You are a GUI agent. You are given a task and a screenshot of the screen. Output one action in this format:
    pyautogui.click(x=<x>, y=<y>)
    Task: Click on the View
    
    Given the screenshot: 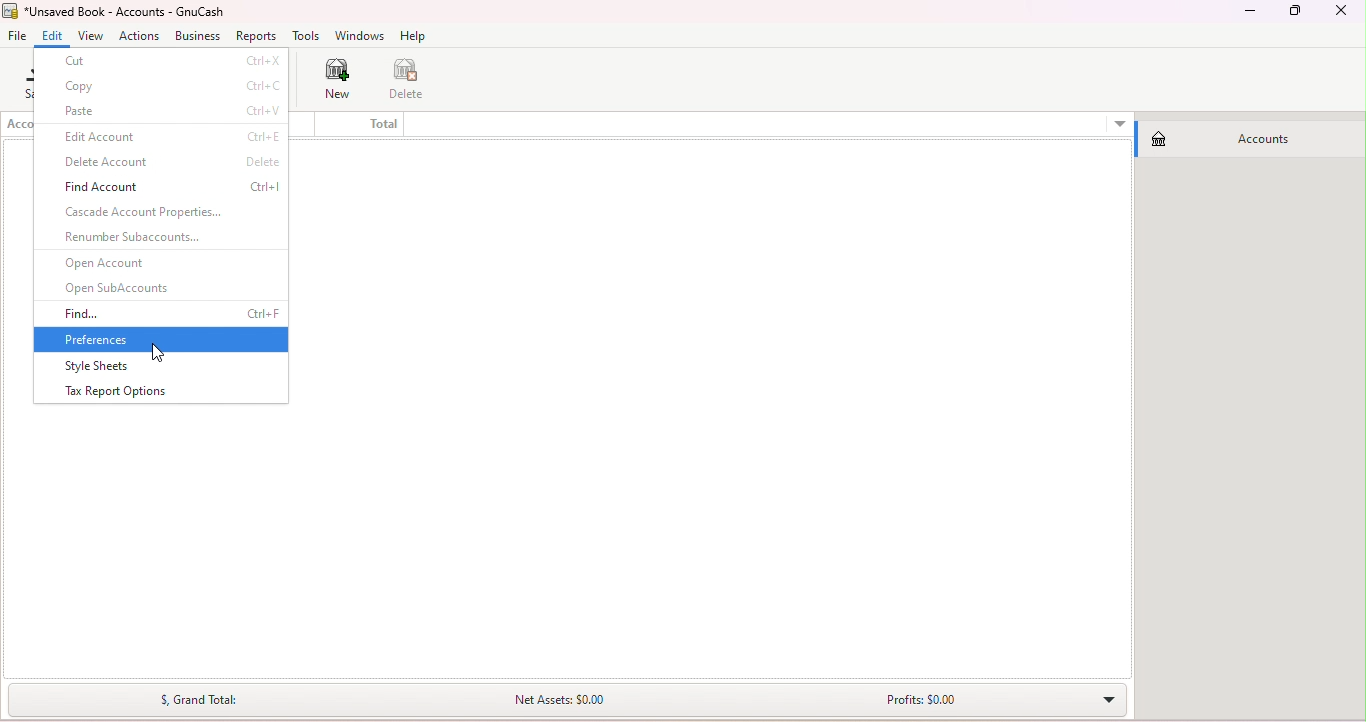 What is the action you would take?
    pyautogui.click(x=91, y=37)
    